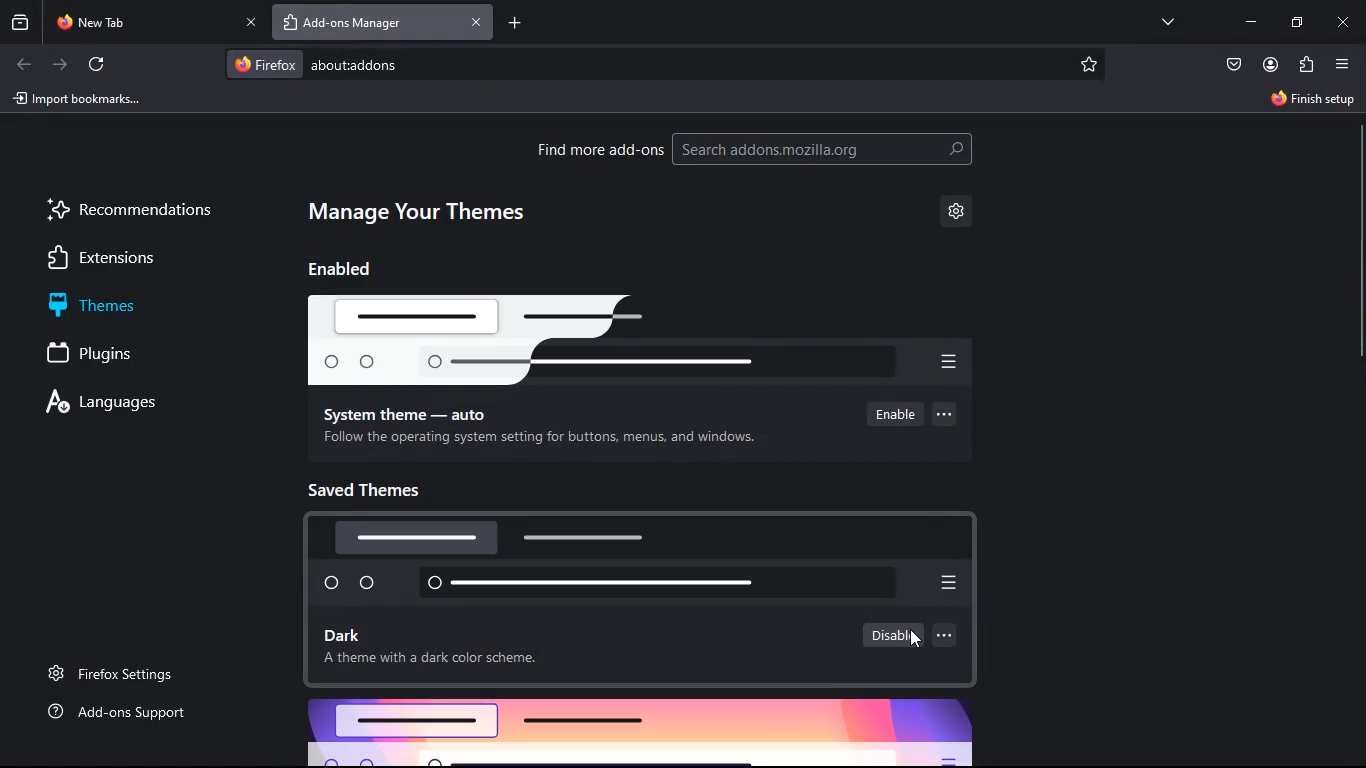 This screenshot has width=1366, height=768. What do you see at coordinates (25, 64) in the screenshot?
I see `back` at bounding box center [25, 64].